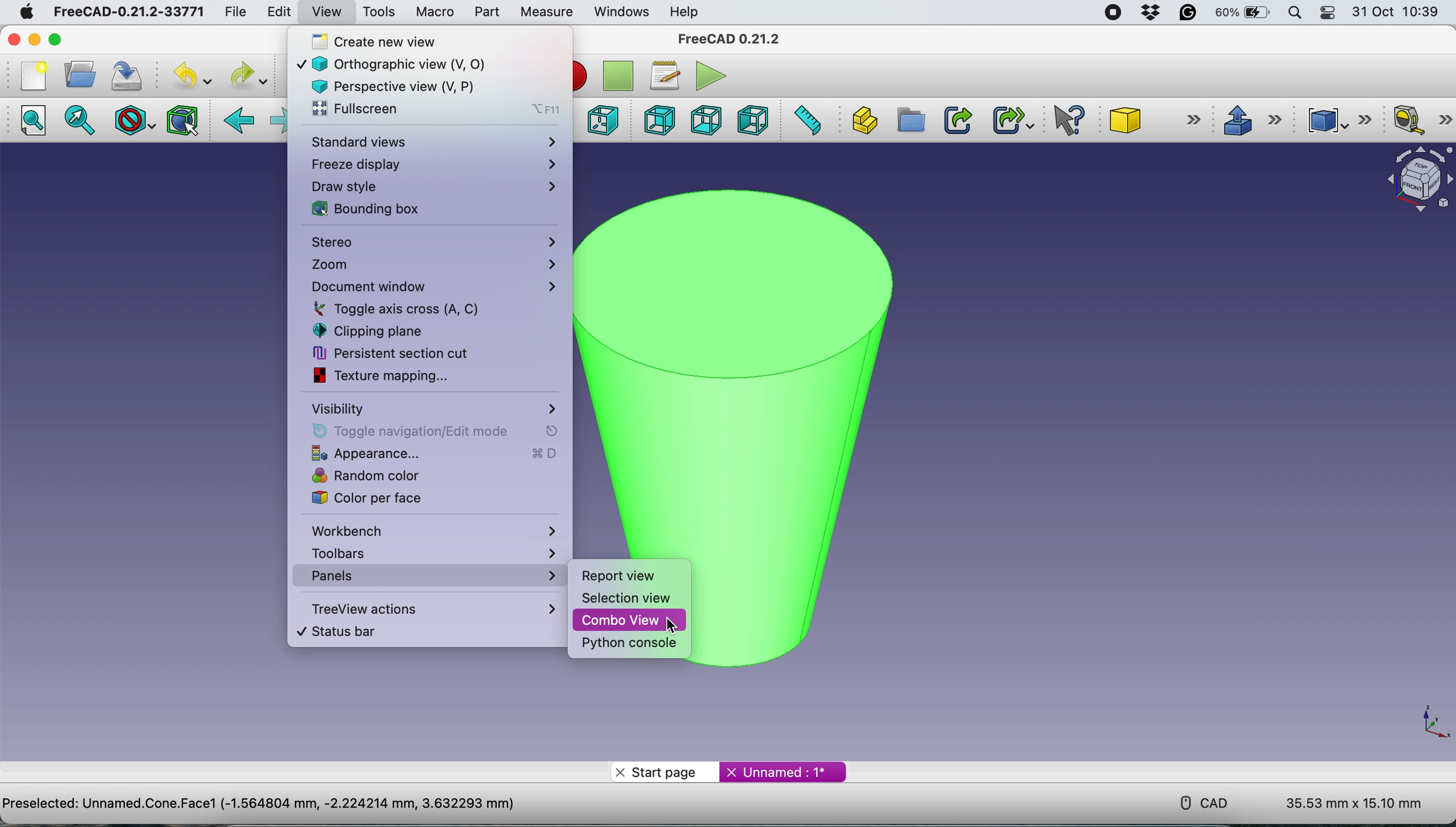 This screenshot has width=1456, height=827. I want to click on dropbox, so click(1147, 13).